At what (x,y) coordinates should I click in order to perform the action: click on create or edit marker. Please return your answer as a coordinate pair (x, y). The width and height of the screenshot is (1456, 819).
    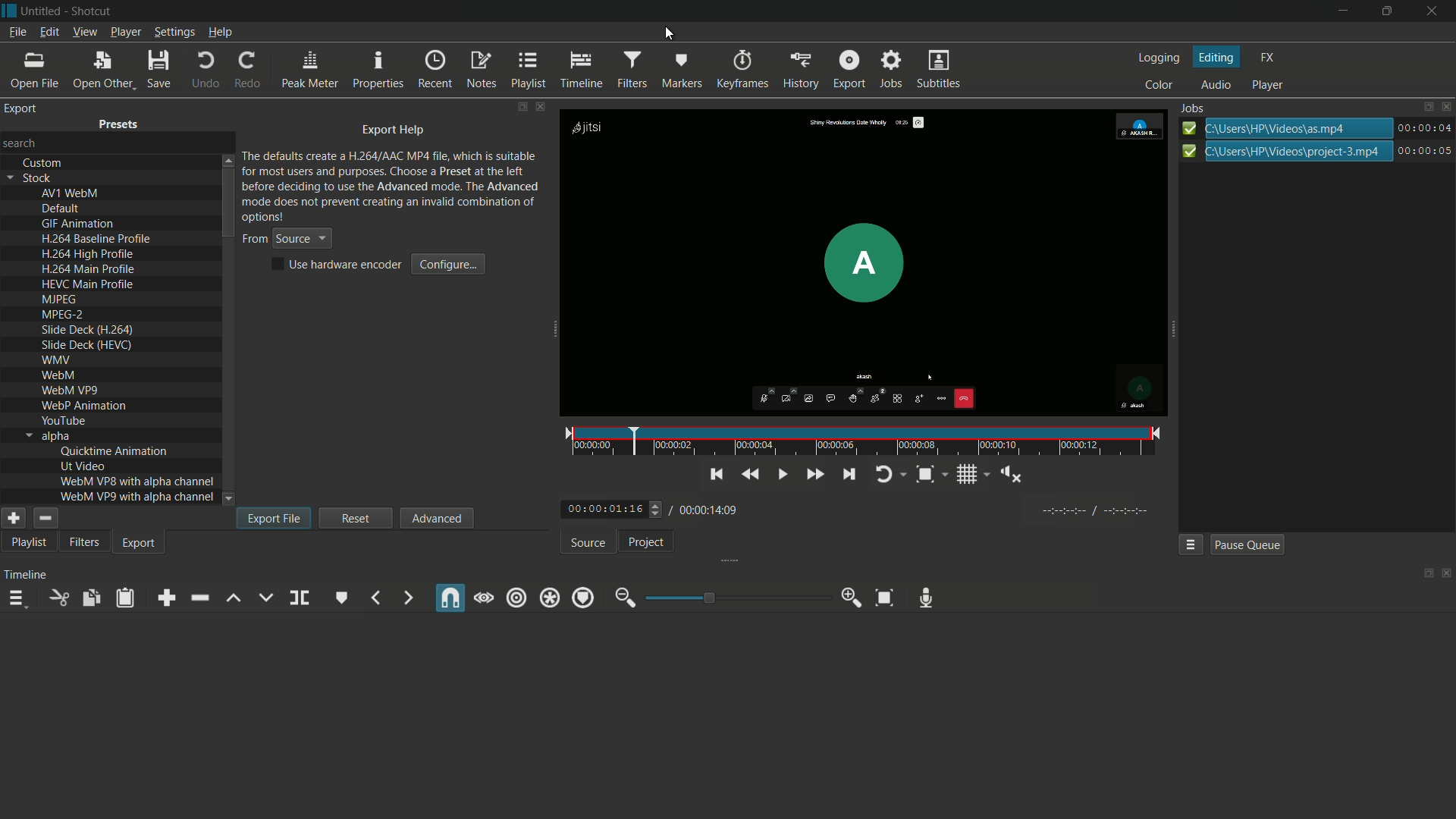
    Looking at the image, I should click on (343, 598).